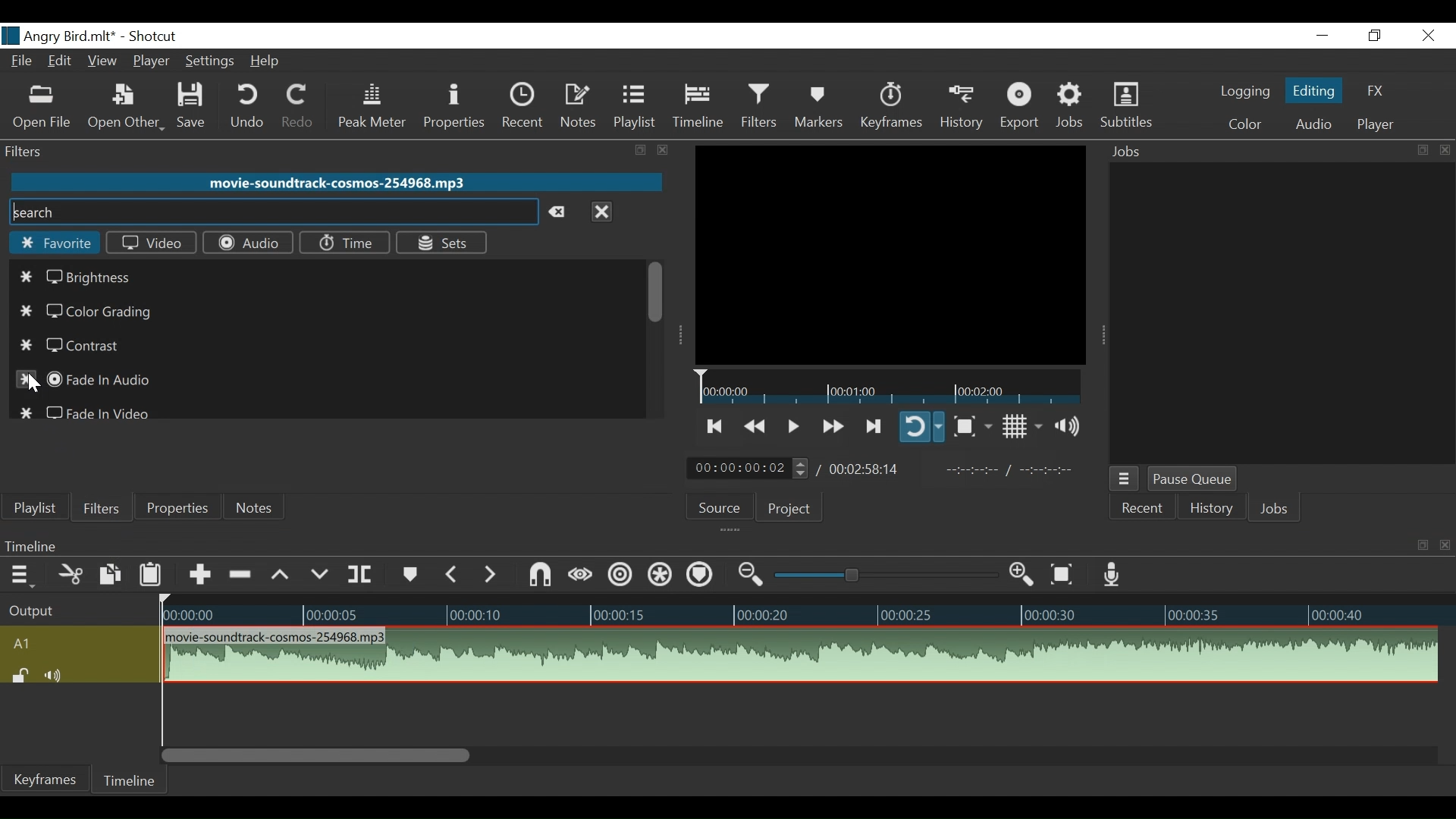 The width and height of the screenshot is (1456, 819). I want to click on Cursor, so click(34, 386).